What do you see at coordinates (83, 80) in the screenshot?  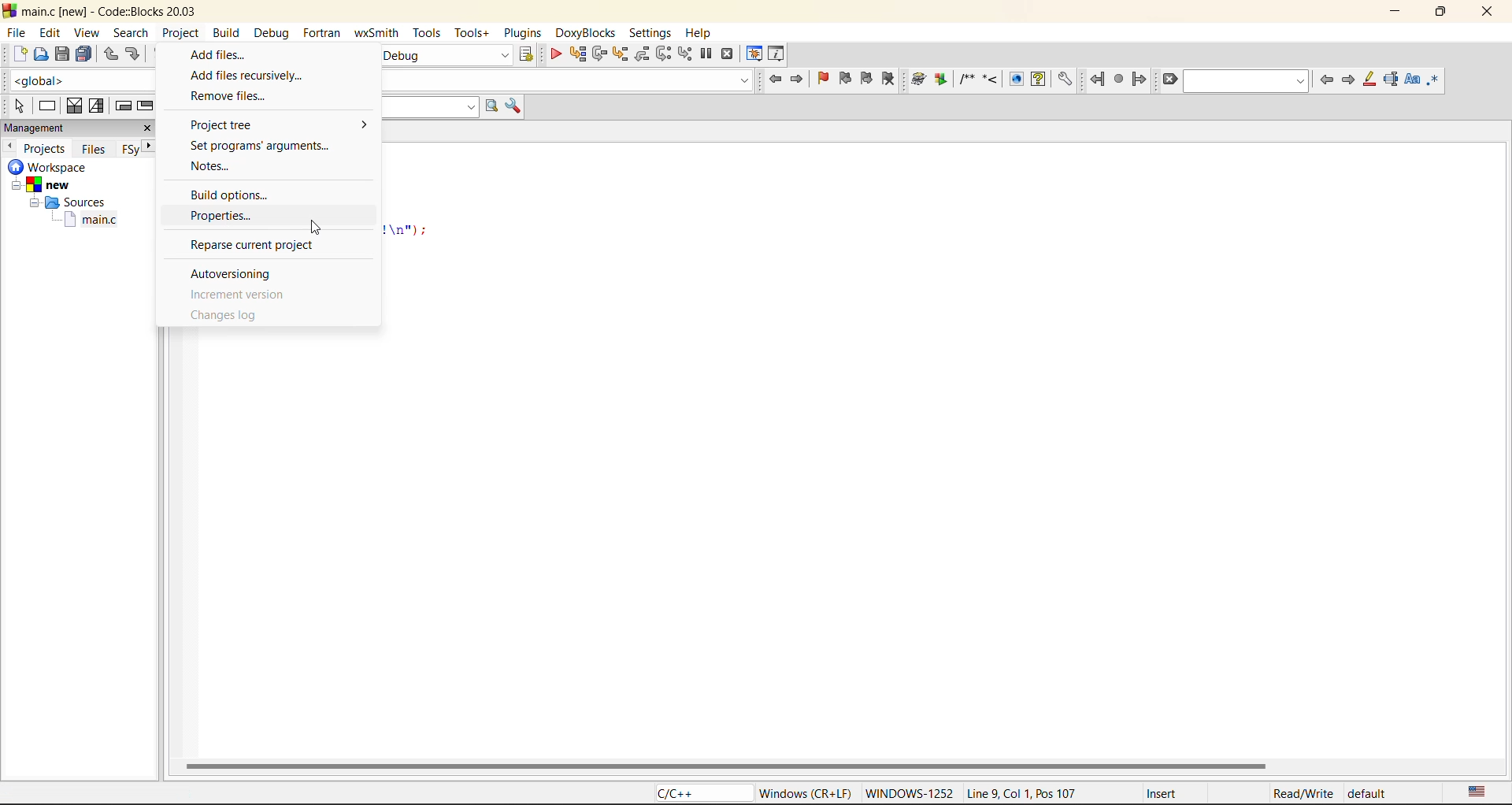 I see `<global>` at bounding box center [83, 80].